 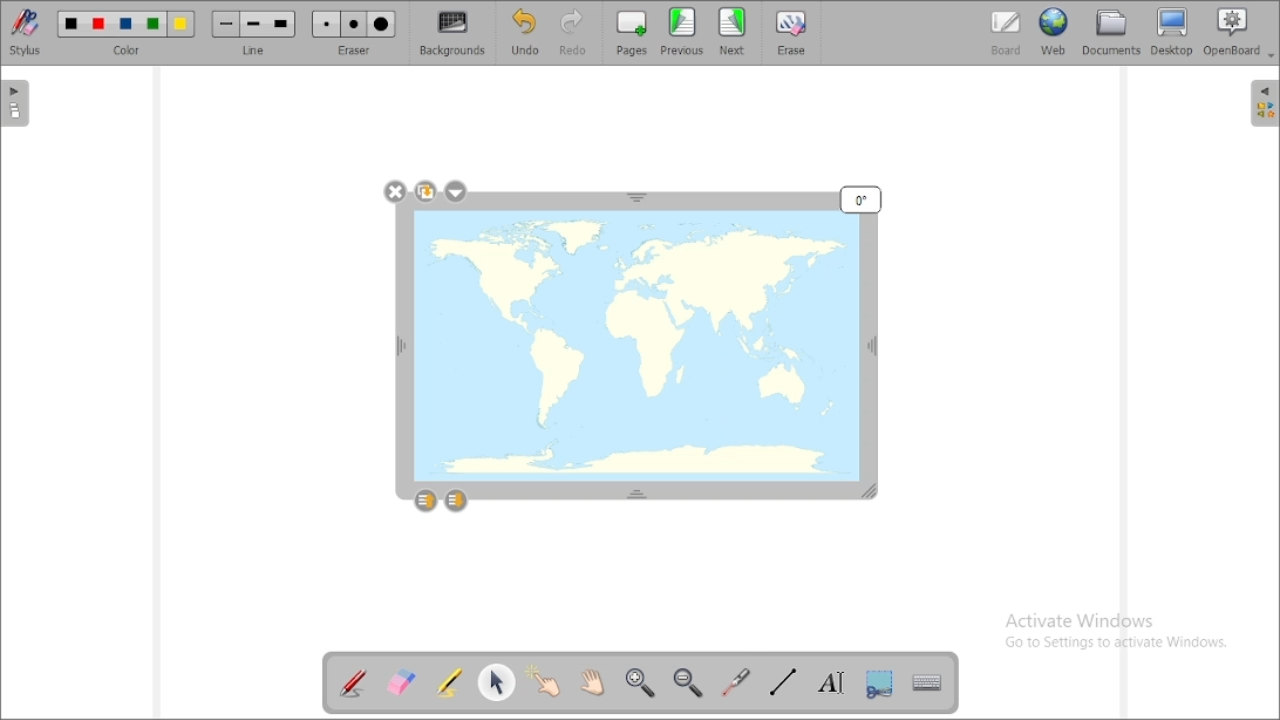 I want to click on redo, so click(x=574, y=33).